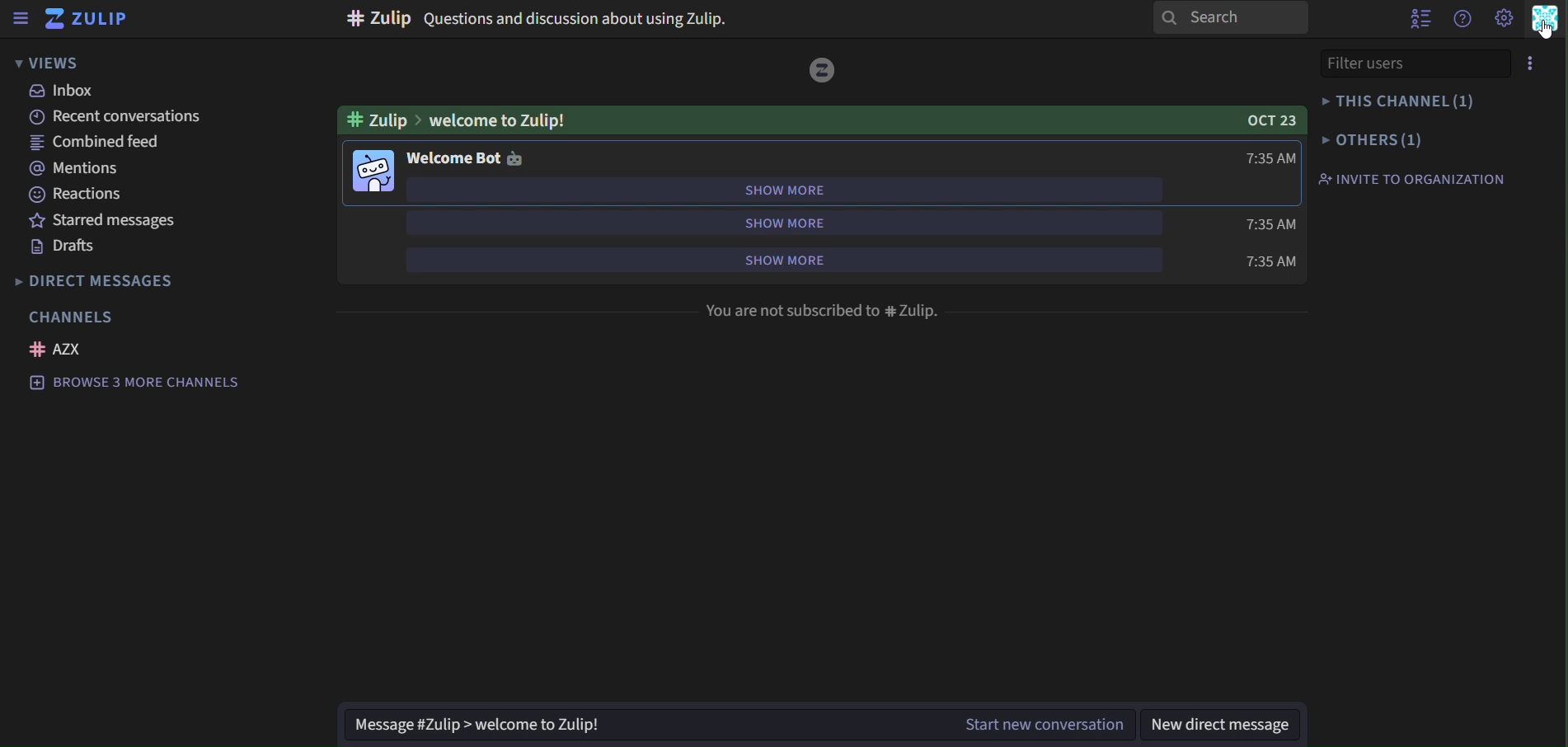 Image resolution: width=1568 pixels, height=747 pixels. I want to click on zulip, so click(92, 19).